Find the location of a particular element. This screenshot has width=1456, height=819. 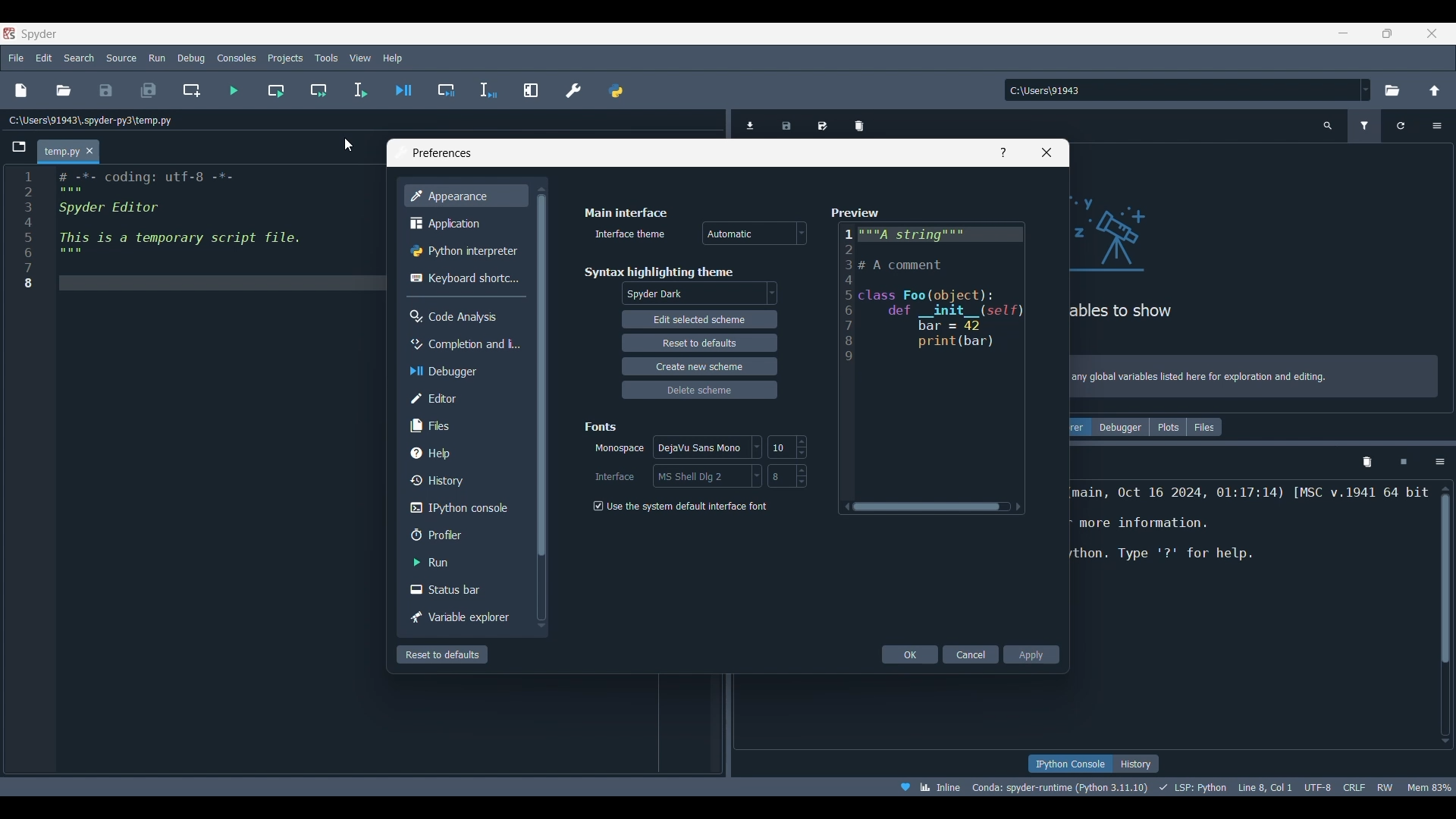

move up is located at coordinates (539, 192).